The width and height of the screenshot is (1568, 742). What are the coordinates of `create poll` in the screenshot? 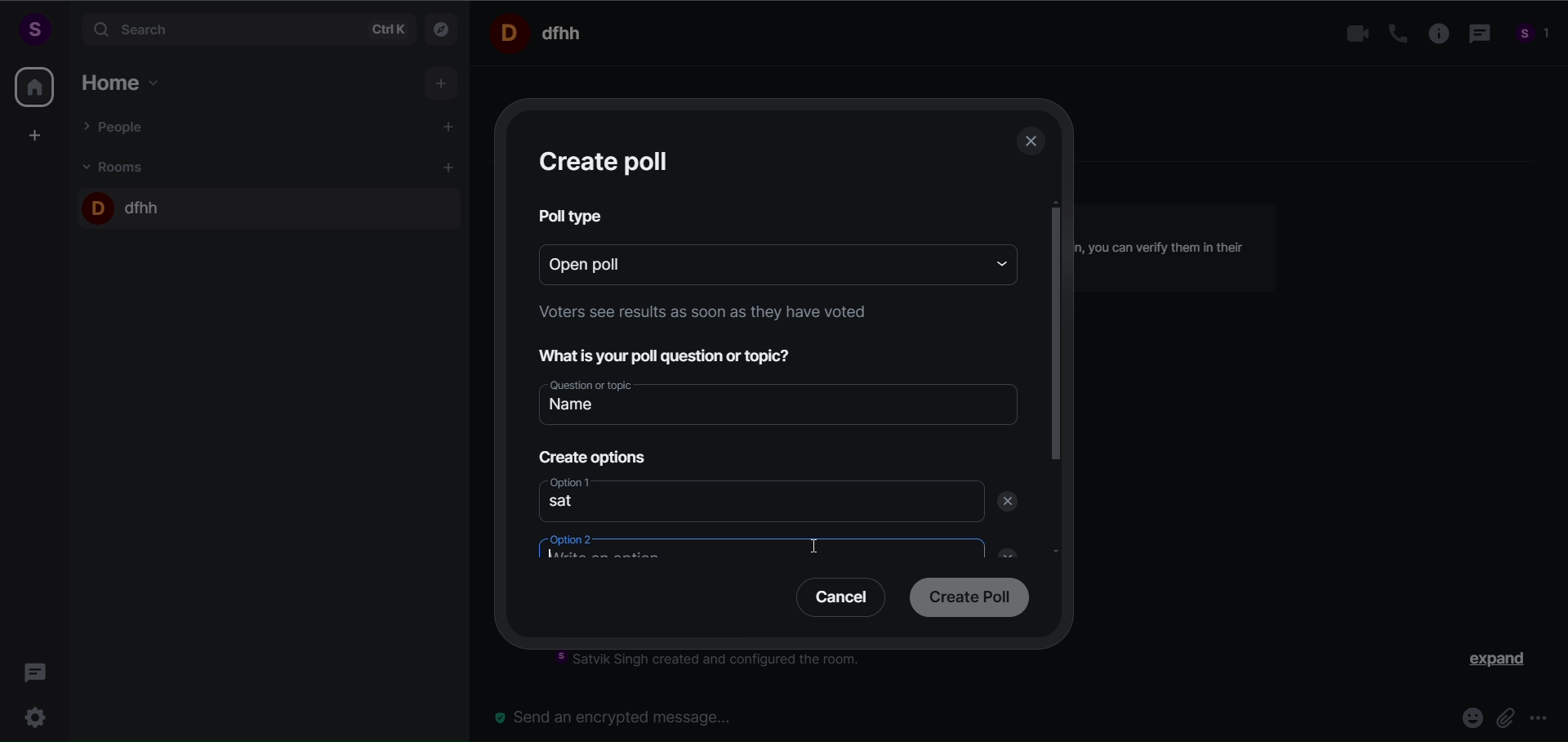 It's located at (965, 599).